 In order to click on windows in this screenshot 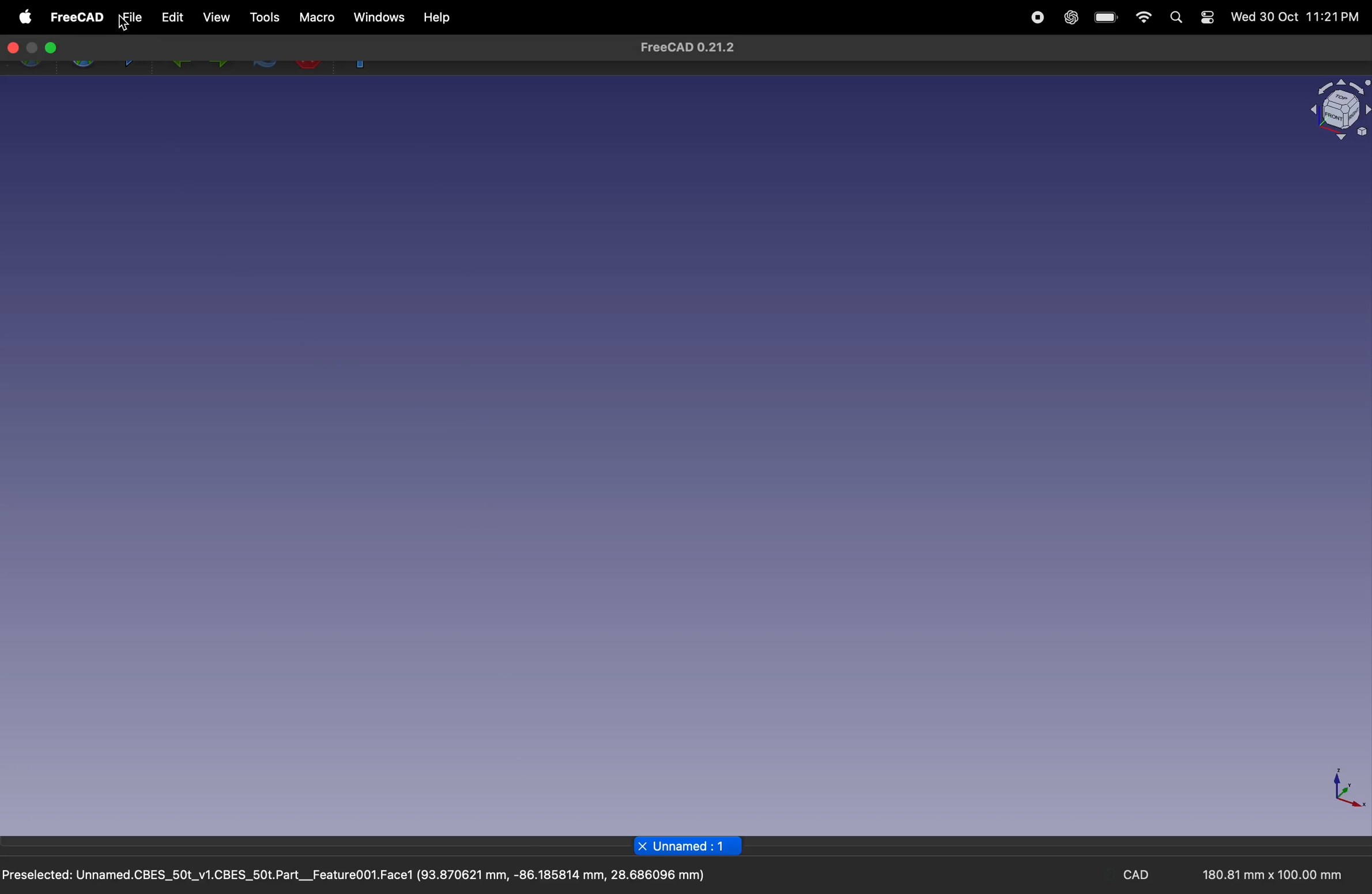, I will do `click(377, 18)`.